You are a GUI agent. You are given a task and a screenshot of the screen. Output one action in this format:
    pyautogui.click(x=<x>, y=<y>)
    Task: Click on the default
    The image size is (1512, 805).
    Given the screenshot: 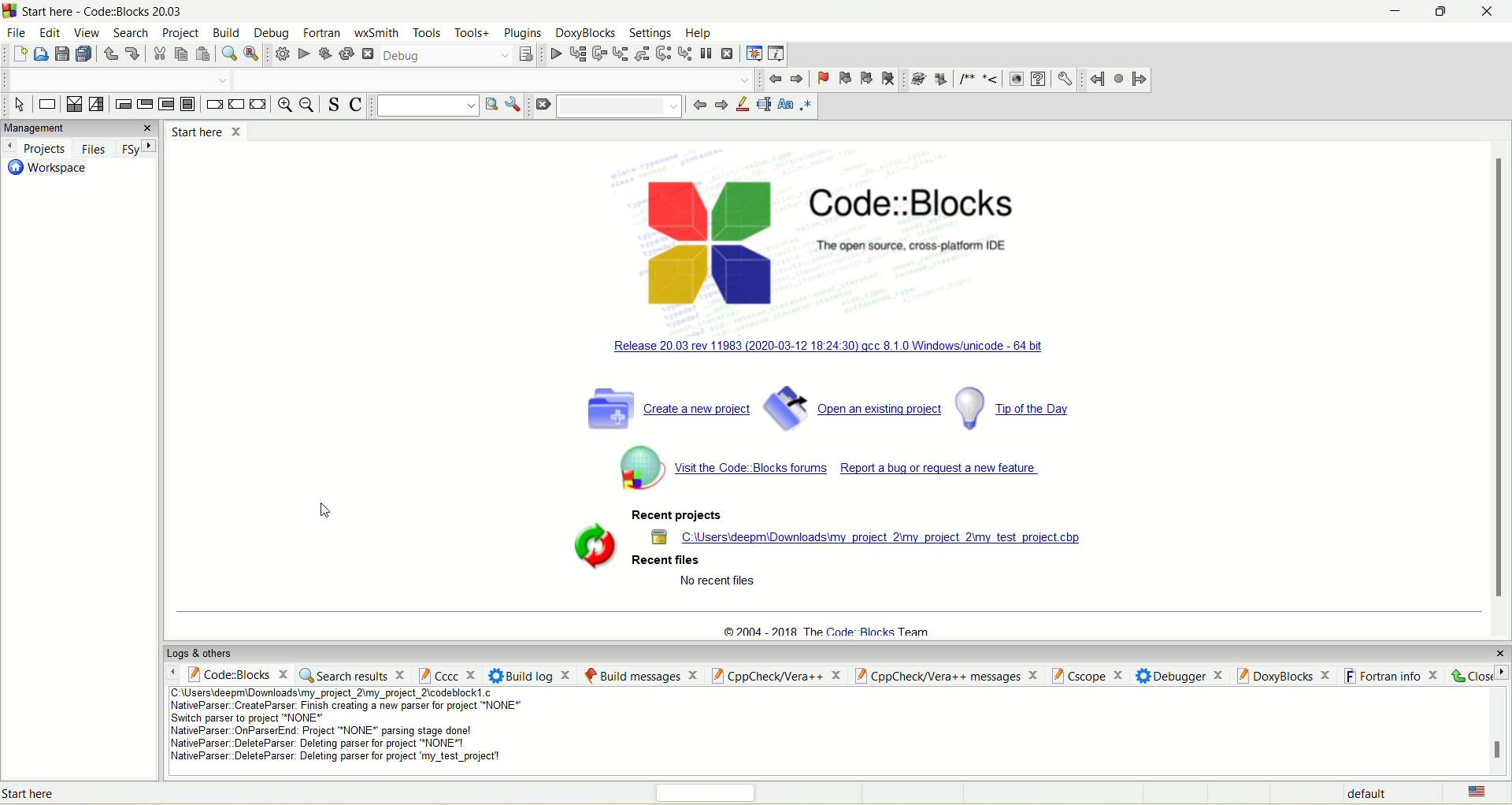 What is the action you would take?
    pyautogui.click(x=1369, y=796)
    